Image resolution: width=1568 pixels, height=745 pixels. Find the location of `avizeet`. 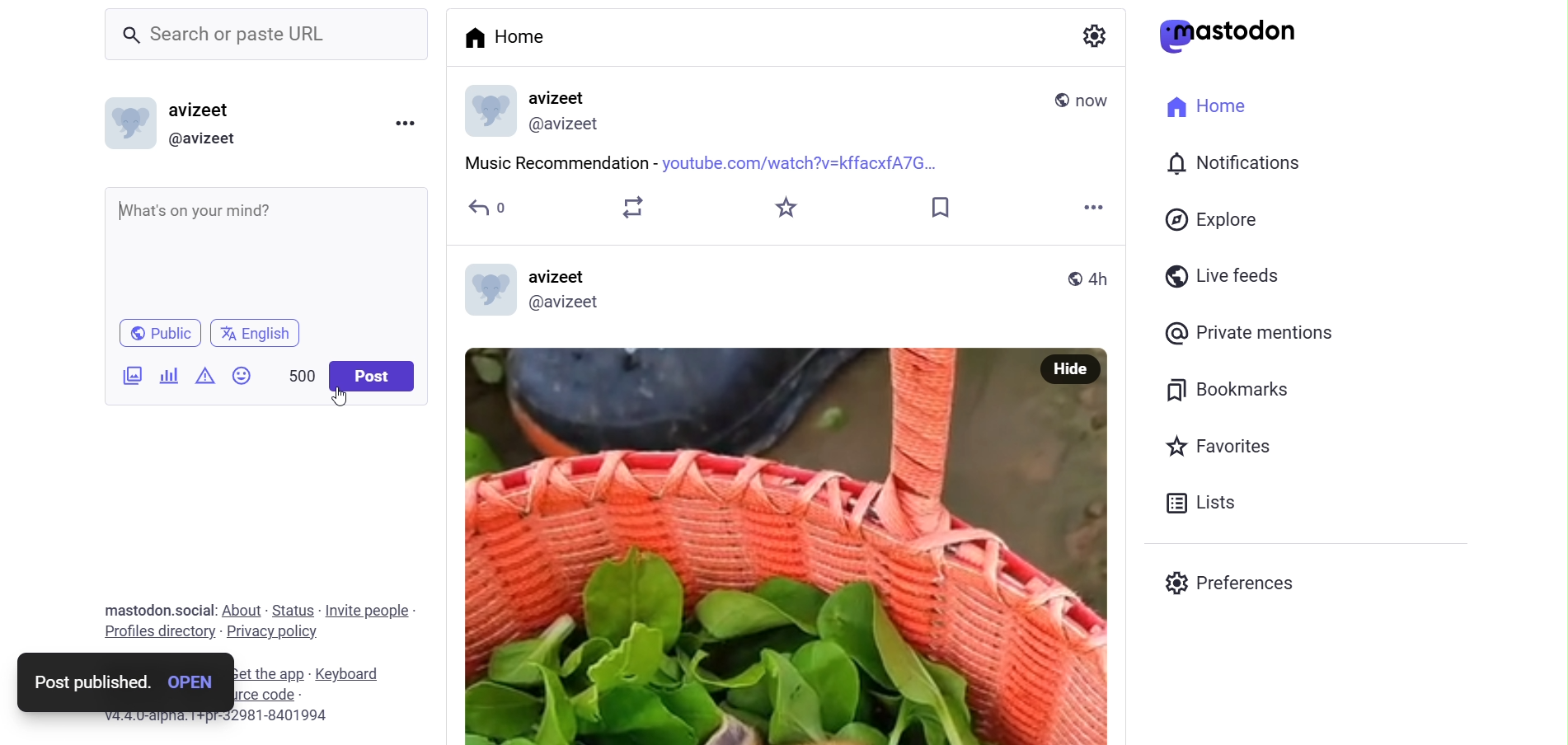

avizeet is located at coordinates (561, 97).